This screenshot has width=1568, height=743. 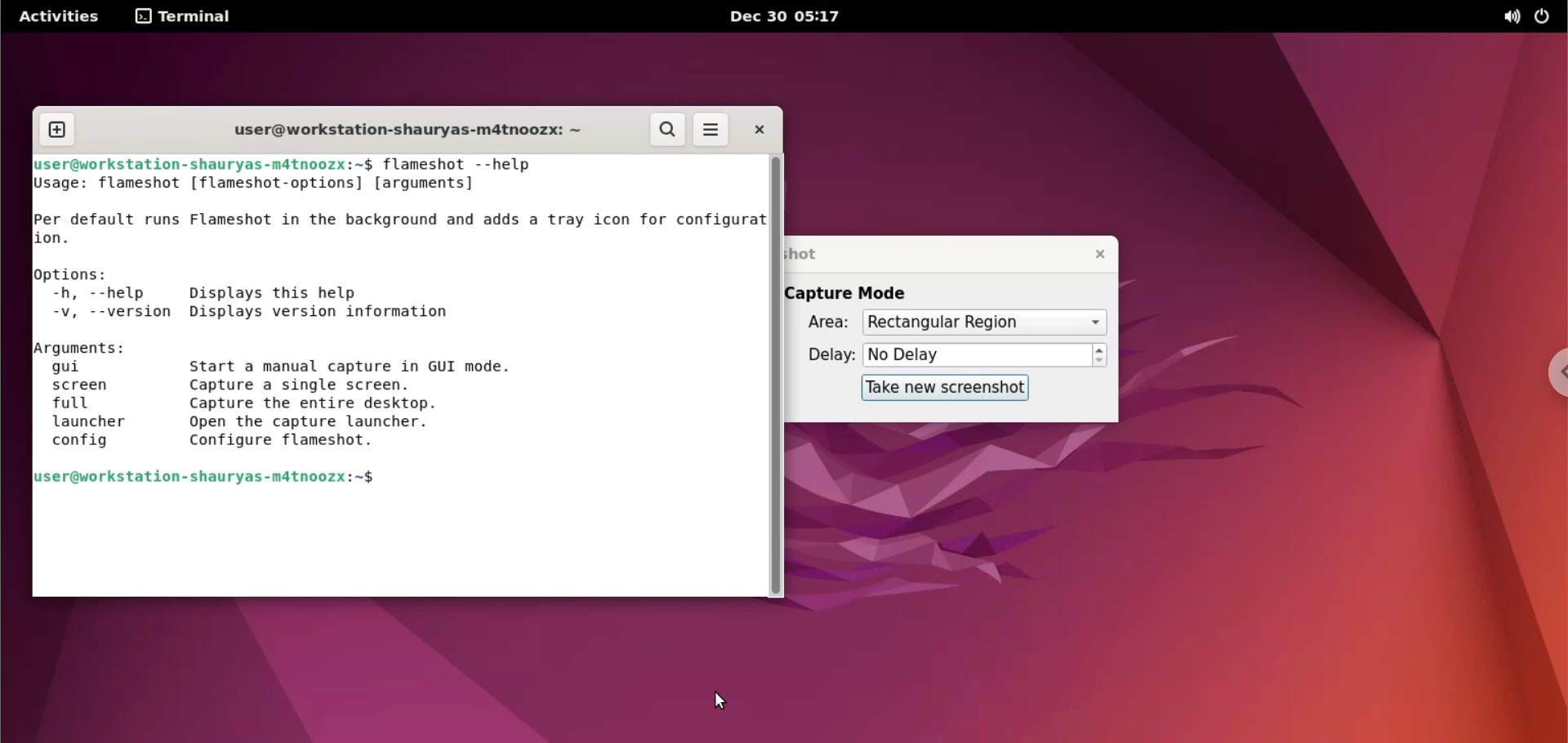 What do you see at coordinates (87, 404) in the screenshot?
I see `full ` at bounding box center [87, 404].